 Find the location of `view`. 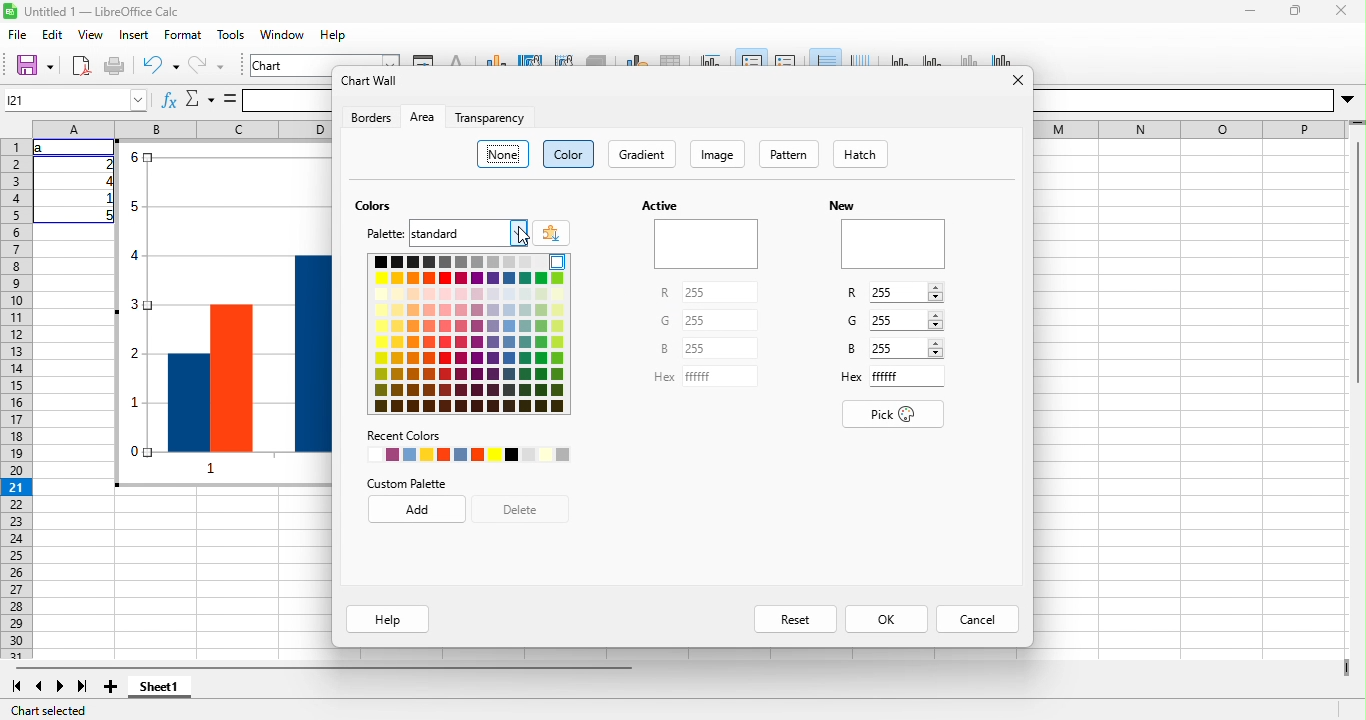

view is located at coordinates (91, 34).